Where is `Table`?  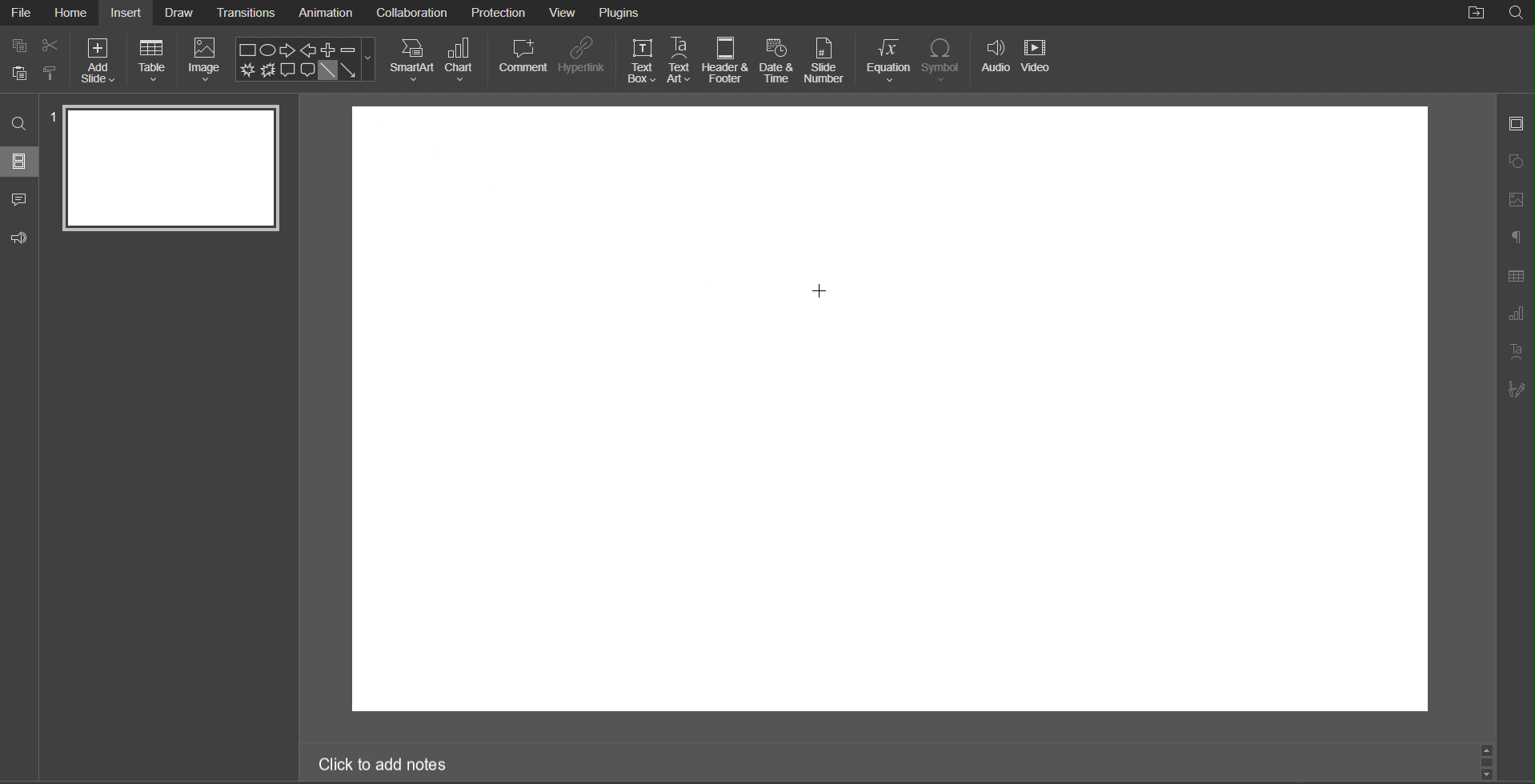 Table is located at coordinates (153, 62).